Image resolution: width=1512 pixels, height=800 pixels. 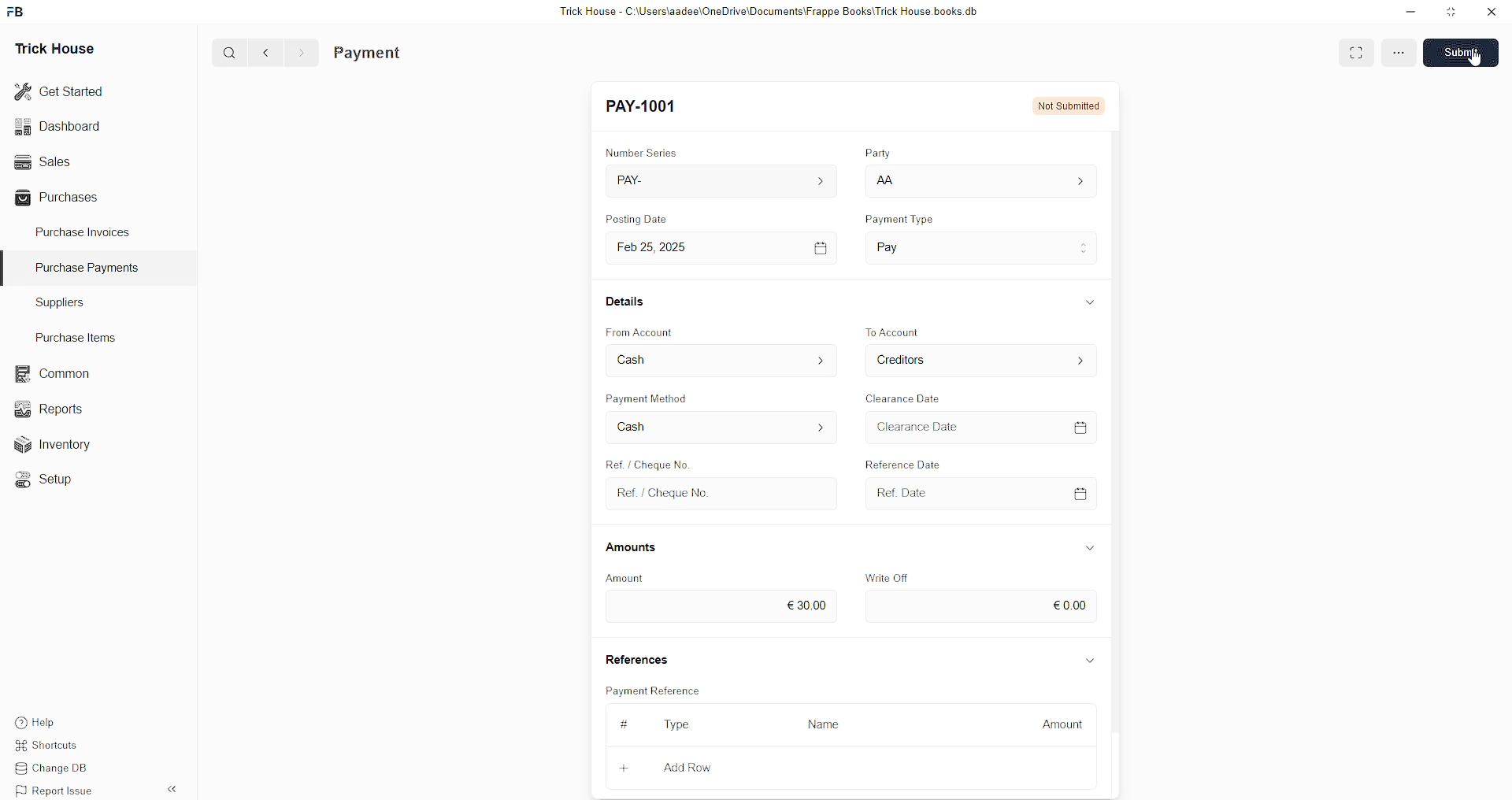 What do you see at coordinates (59, 720) in the screenshot?
I see ` Help` at bounding box center [59, 720].